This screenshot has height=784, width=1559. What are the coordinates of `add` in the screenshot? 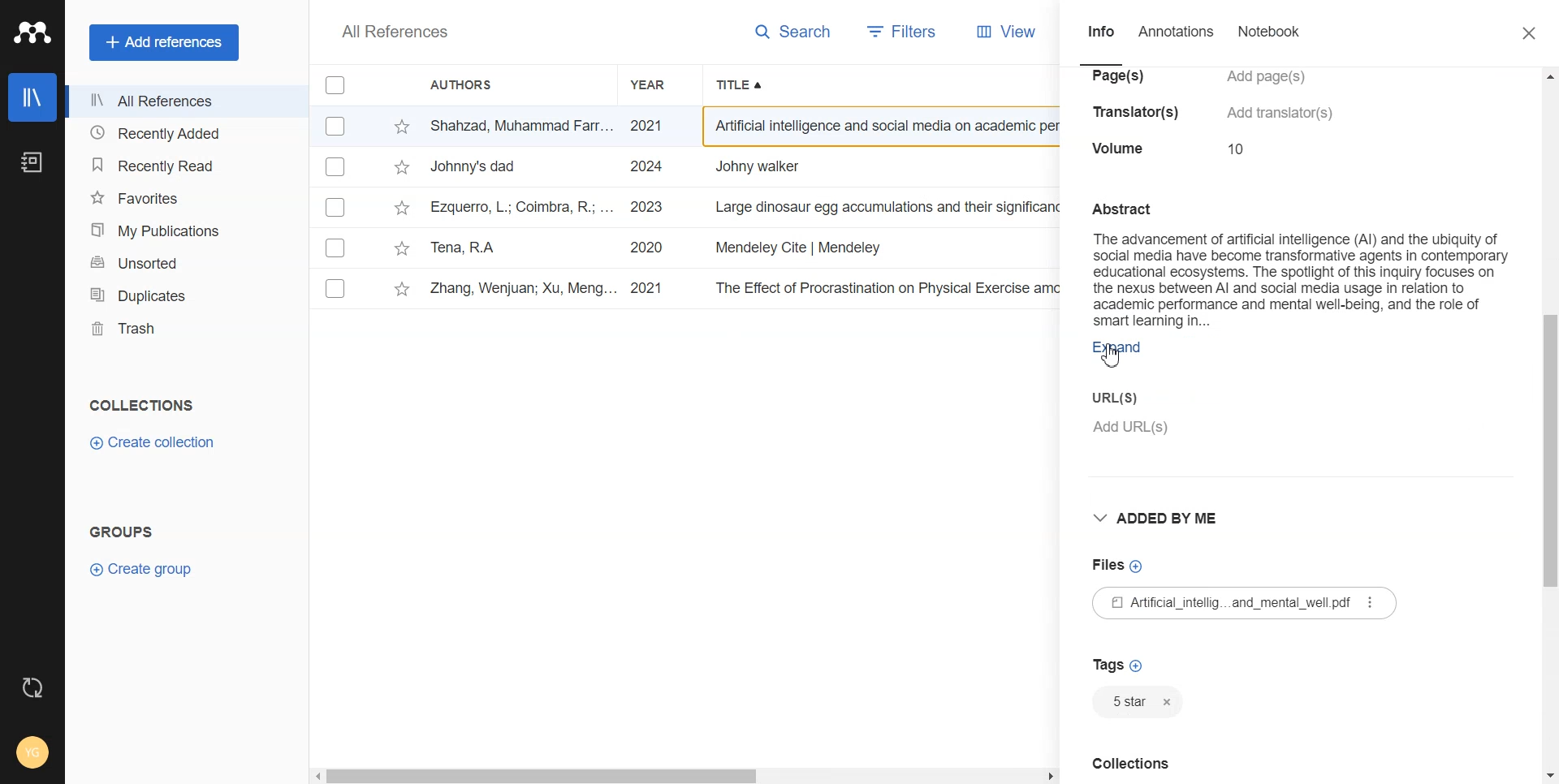 It's located at (1274, 77).